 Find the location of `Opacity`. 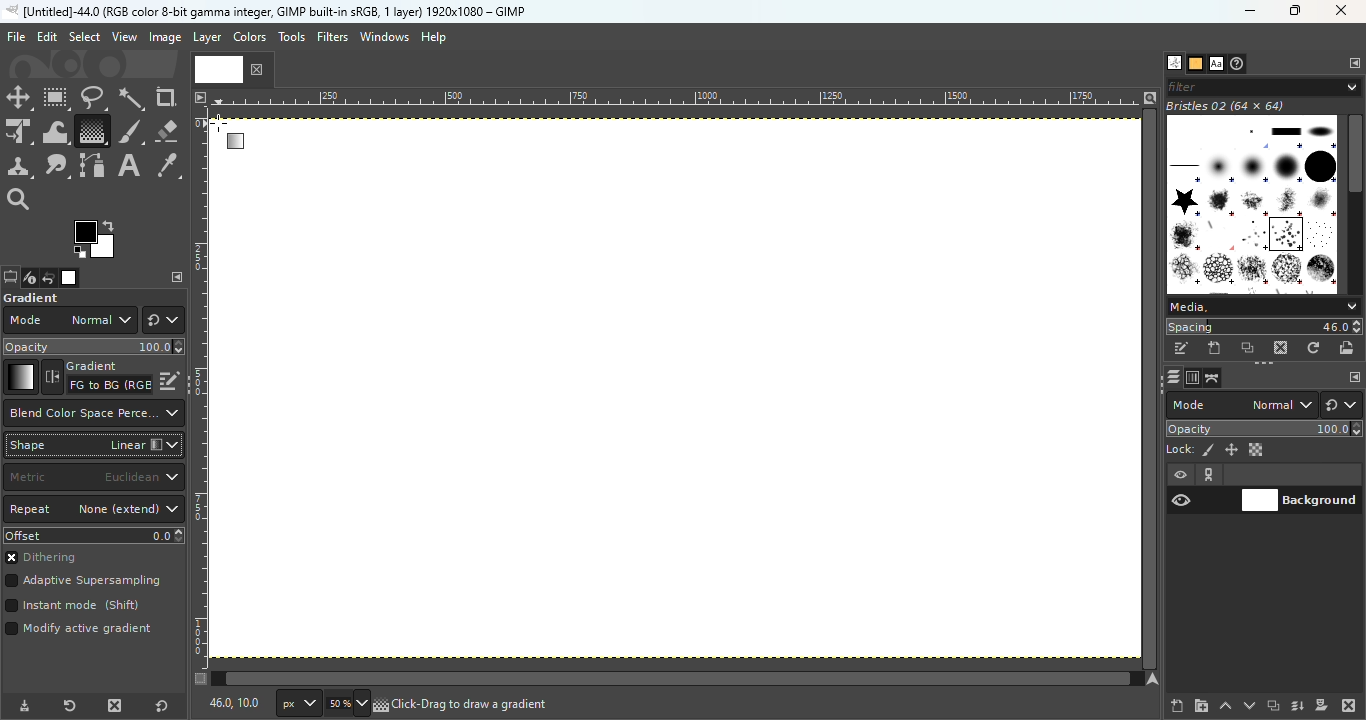

Opacity is located at coordinates (1266, 429).